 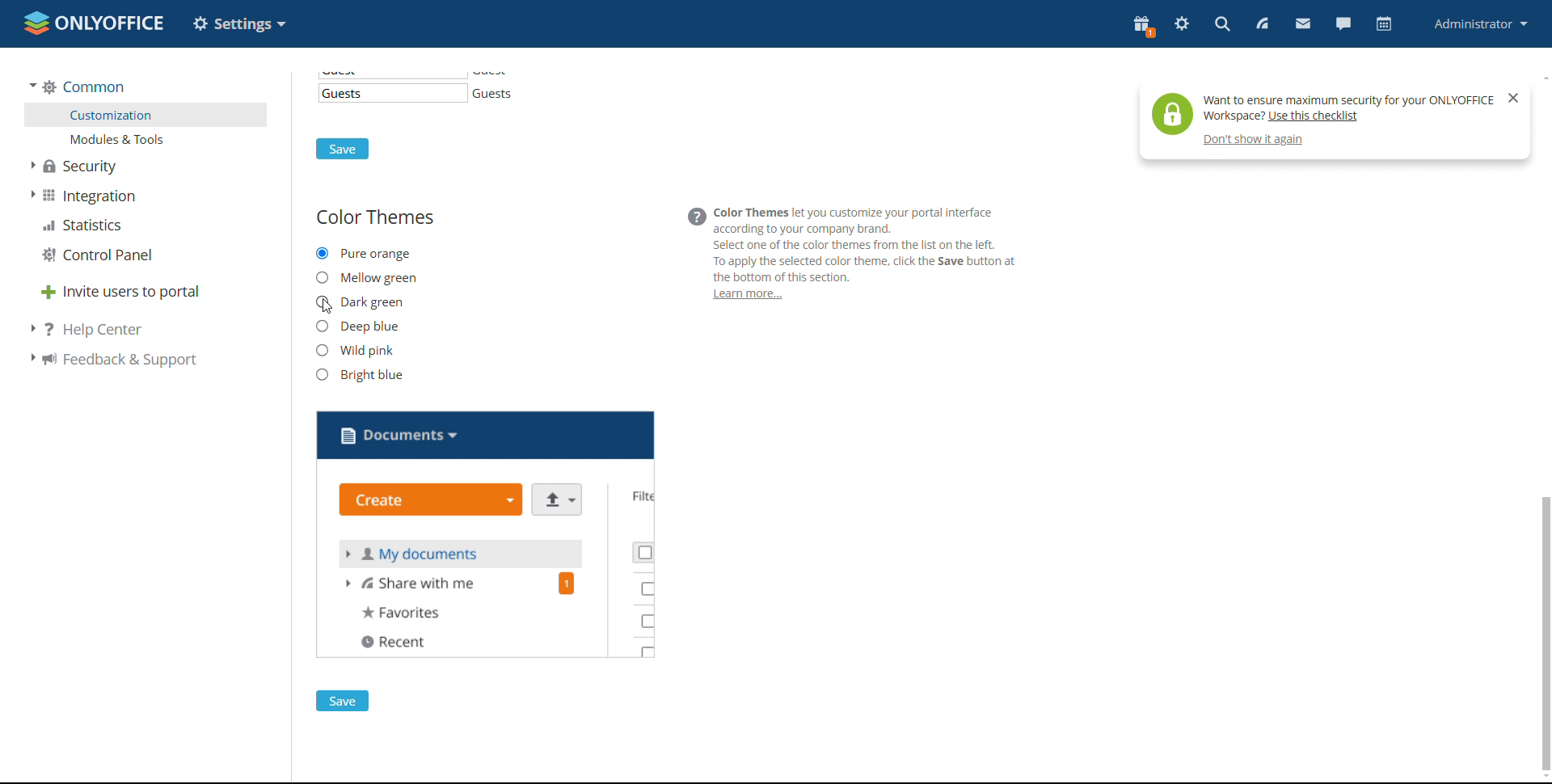 I want to click on modules and tools, so click(x=147, y=139).